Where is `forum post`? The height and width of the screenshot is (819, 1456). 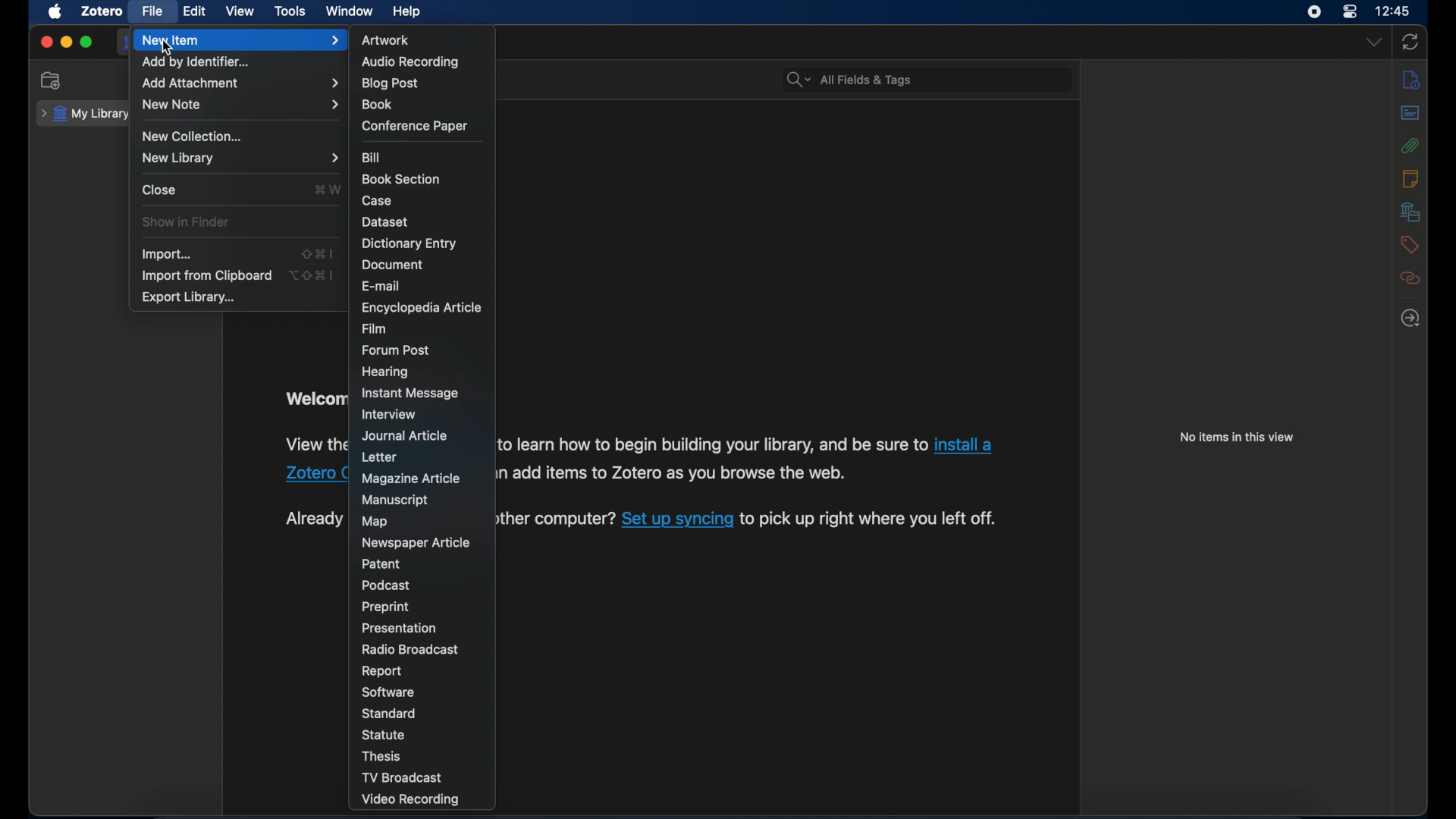 forum post is located at coordinates (395, 350).